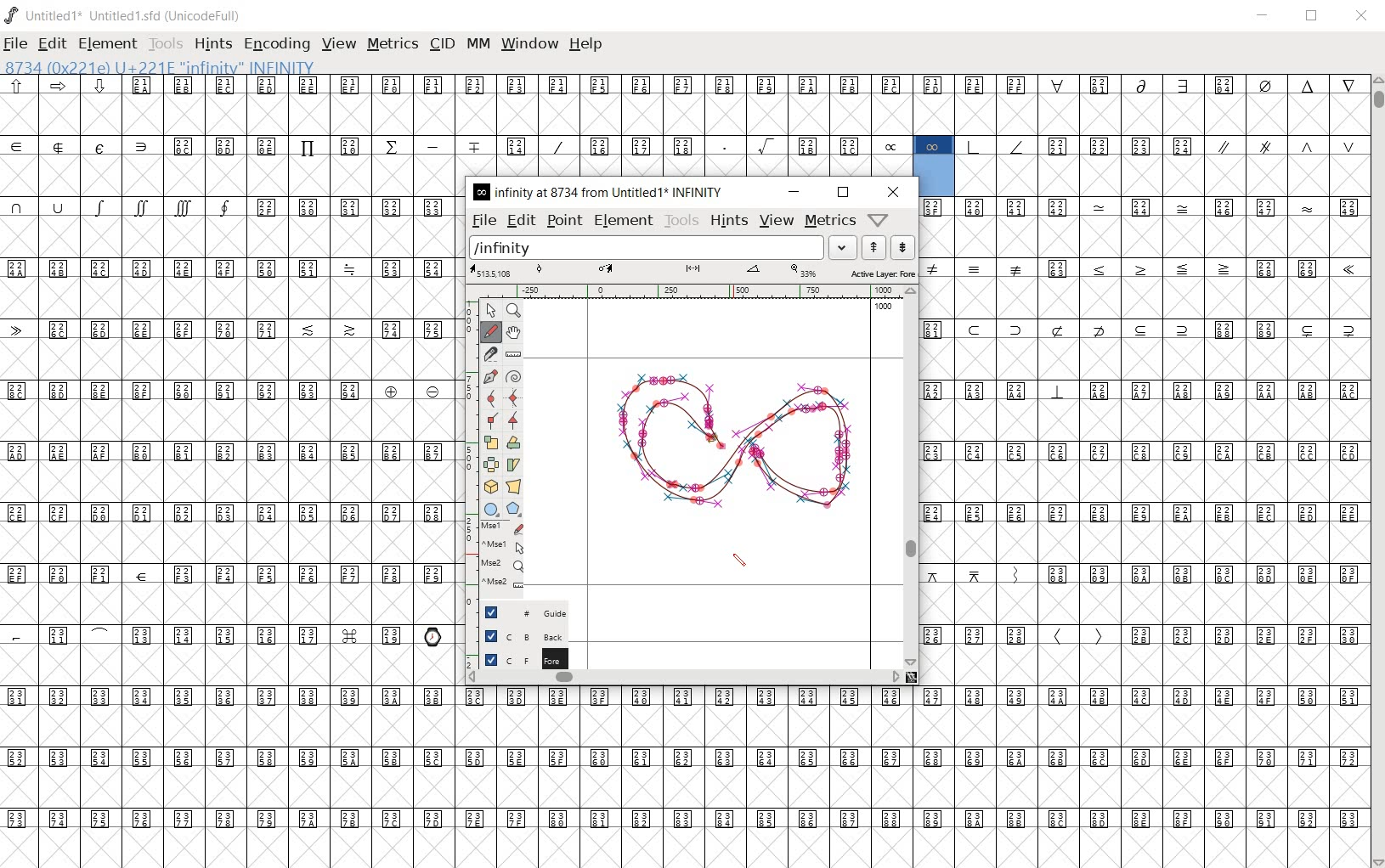 Image resolution: width=1385 pixels, height=868 pixels. Describe the element at coordinates (230, 543) in the screenshot. I see `empty glyph slots` at that location.